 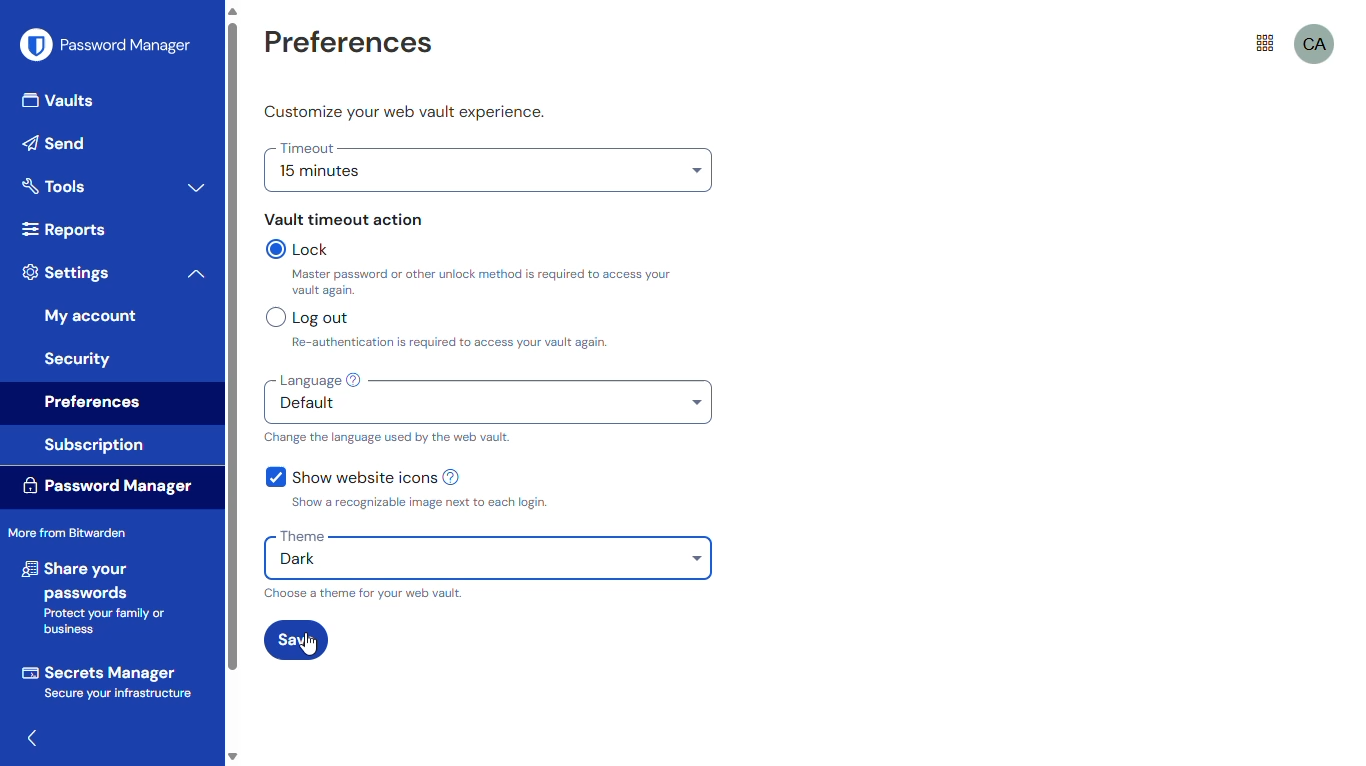 What do you see at coordinates (456, 477) in the screenshot?
I see `learn more about website icons` at bounding box center [456, 477].